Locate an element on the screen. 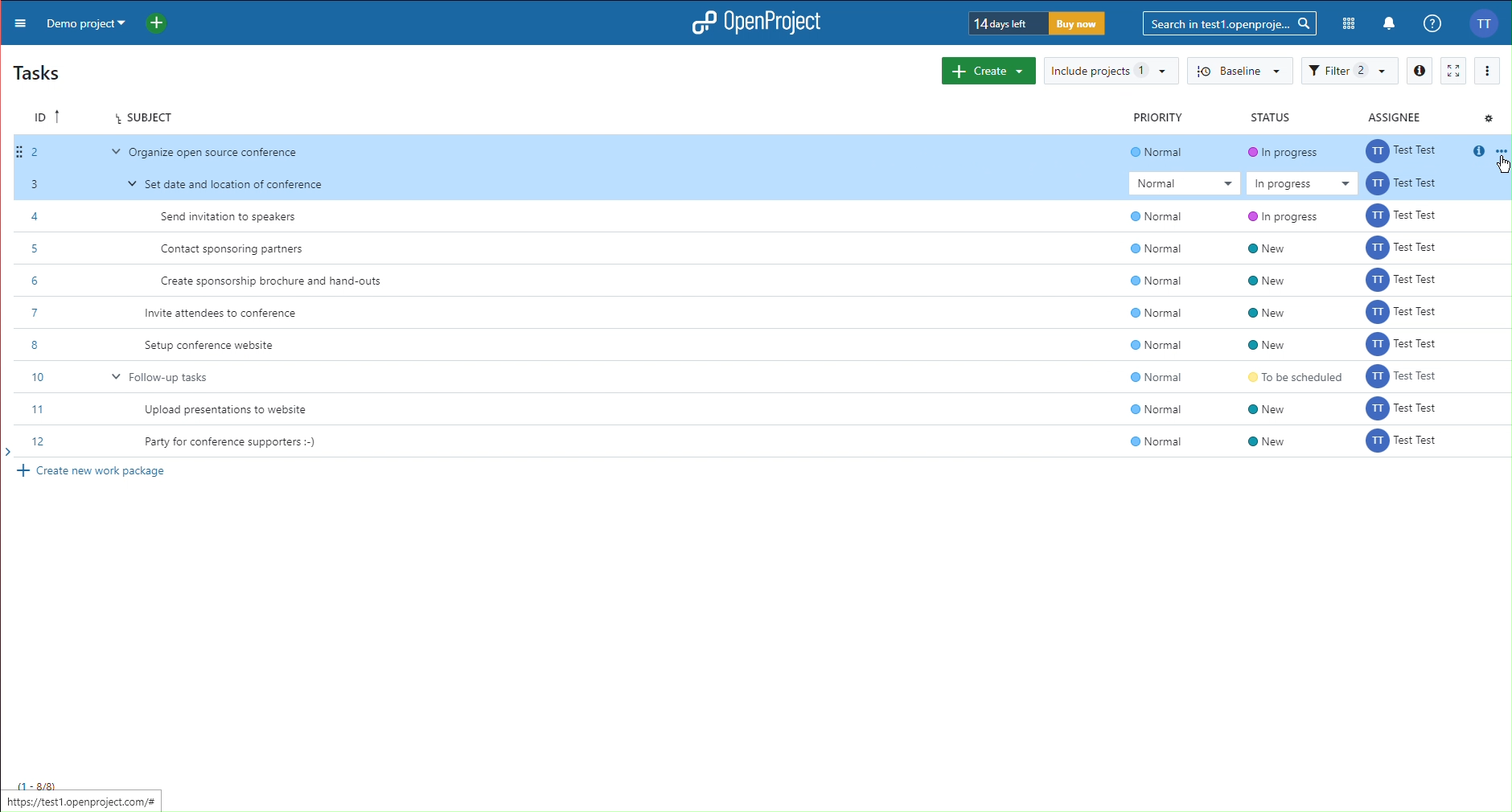  Baseline is located at coordinates (1238, 72).